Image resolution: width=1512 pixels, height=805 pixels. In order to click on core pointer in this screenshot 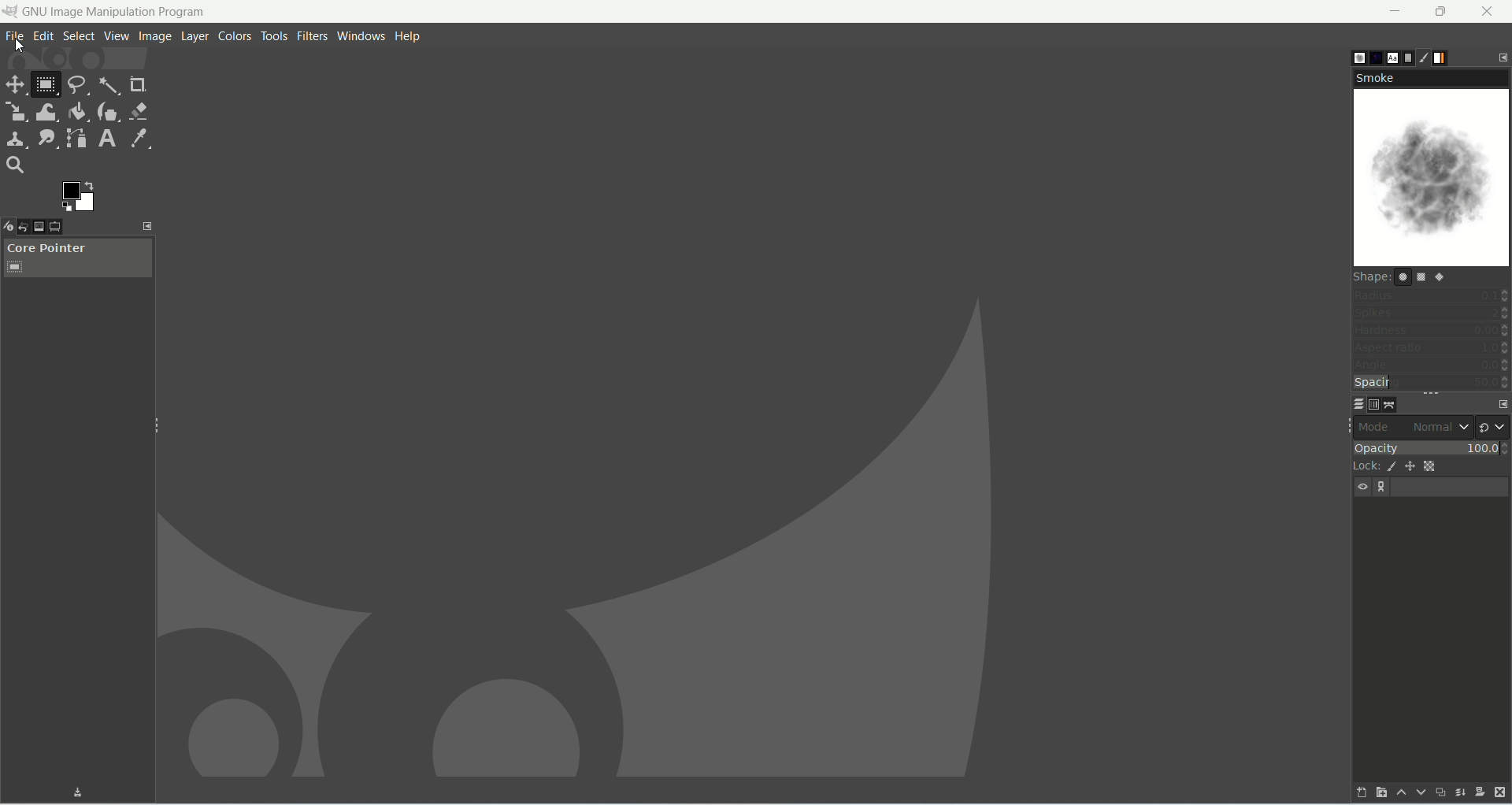, I will do `click(80, 258)`.